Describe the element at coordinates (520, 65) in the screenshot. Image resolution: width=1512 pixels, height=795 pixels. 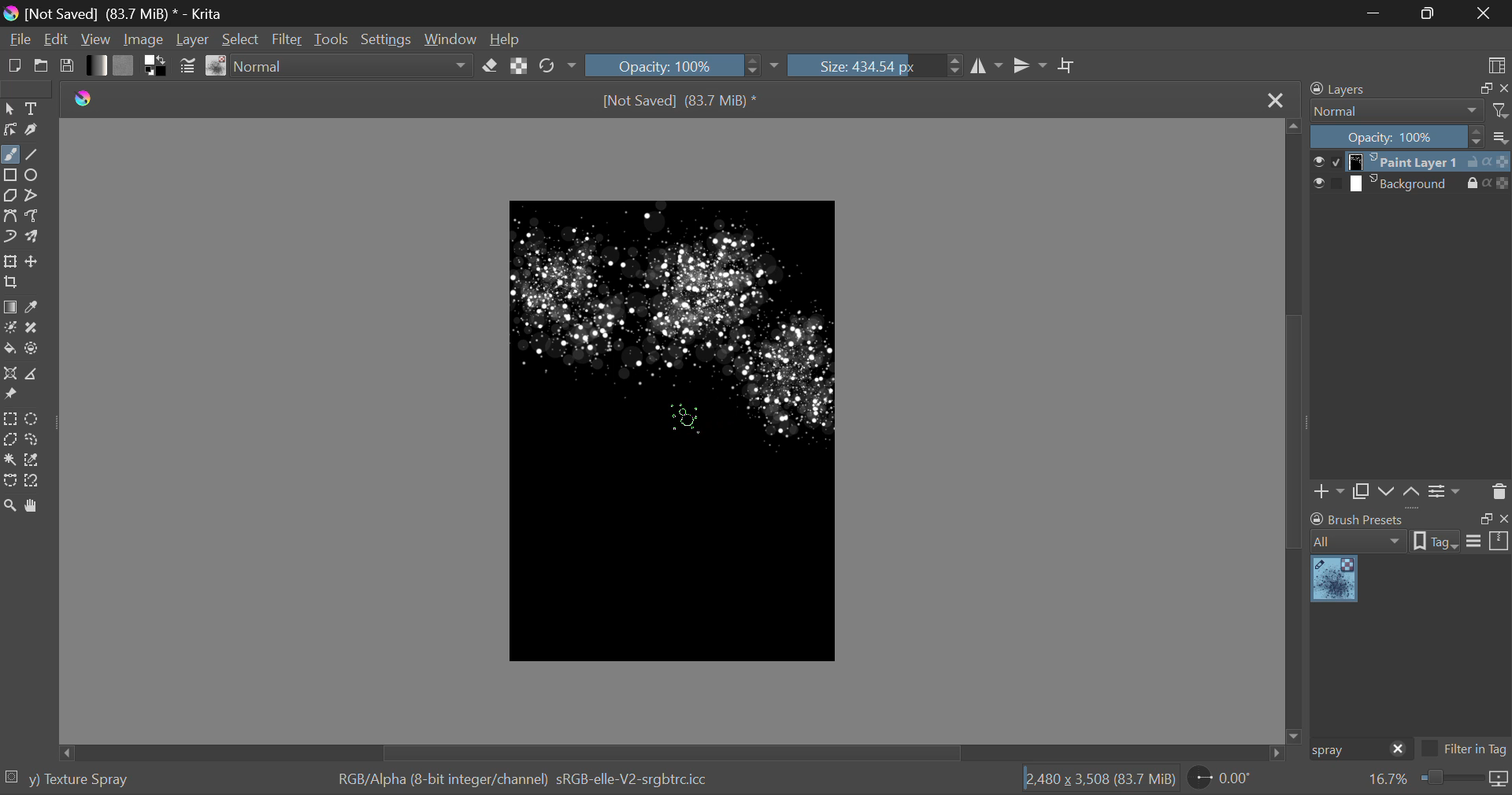
I see `Lock Alpha` at that location.